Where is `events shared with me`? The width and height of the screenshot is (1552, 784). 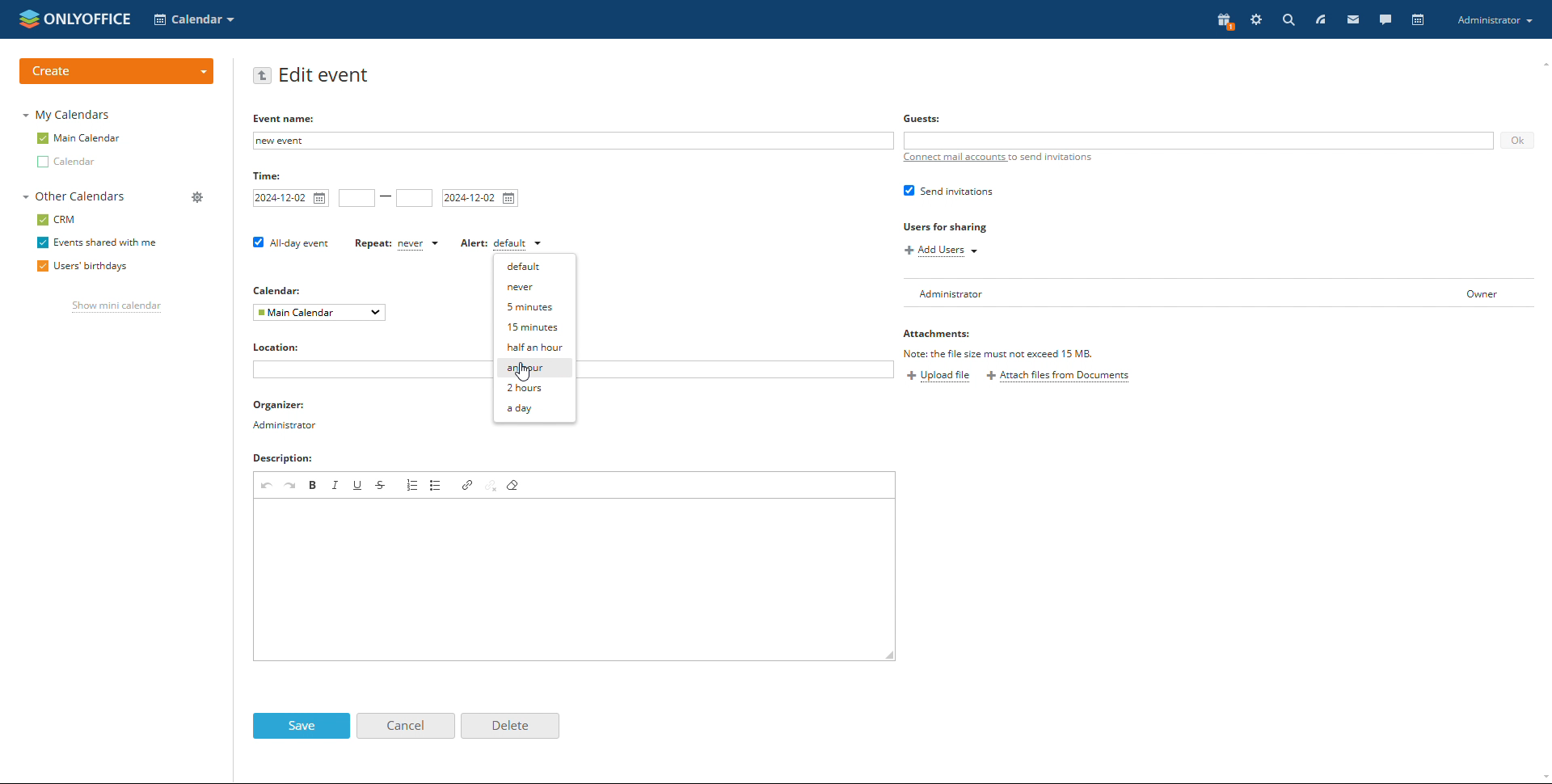 events shared with me is located at coordinates (97, 242).